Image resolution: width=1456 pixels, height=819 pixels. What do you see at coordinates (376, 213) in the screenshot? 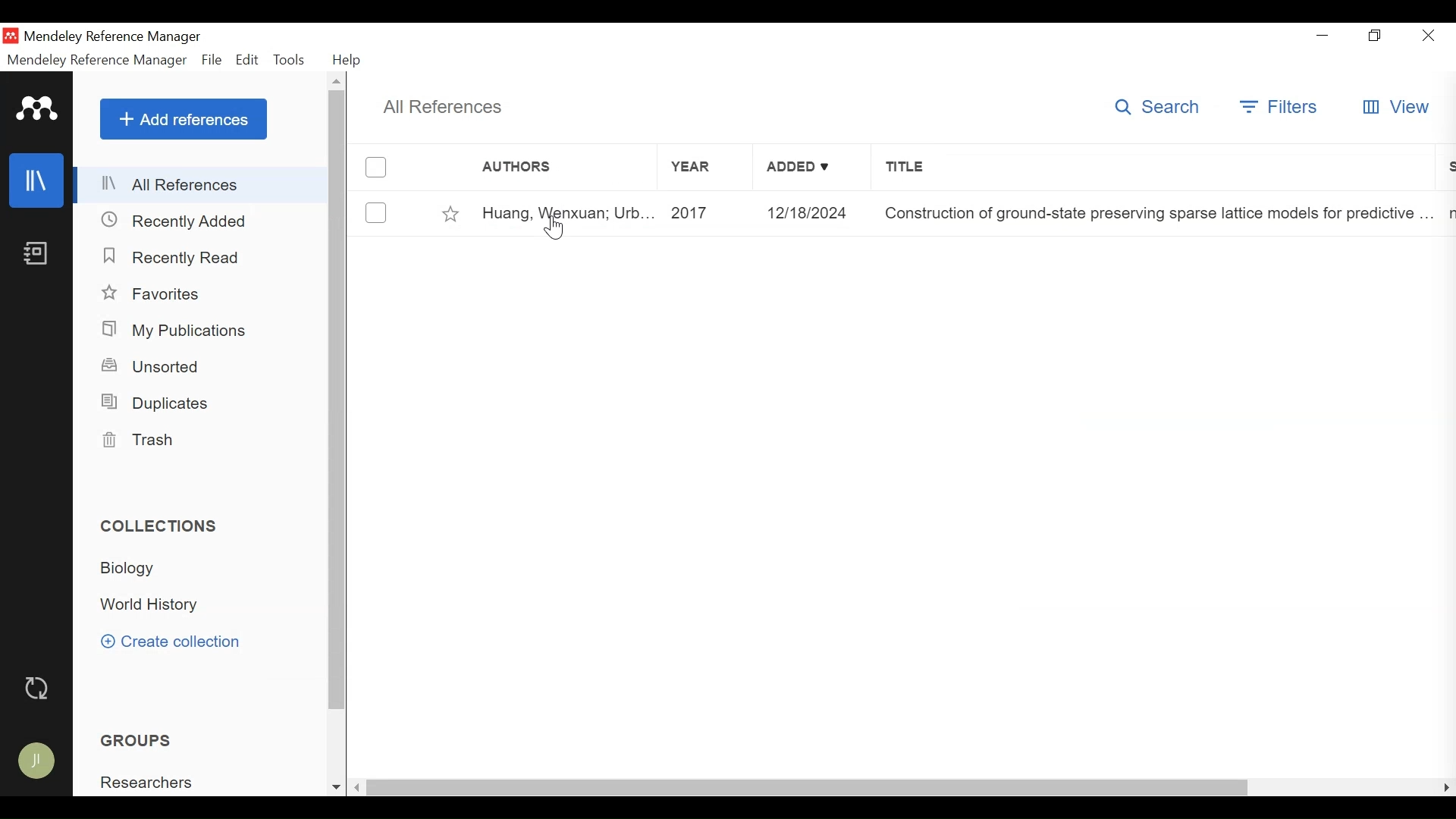
I see `(un)select` at bounding box center [376, 213].